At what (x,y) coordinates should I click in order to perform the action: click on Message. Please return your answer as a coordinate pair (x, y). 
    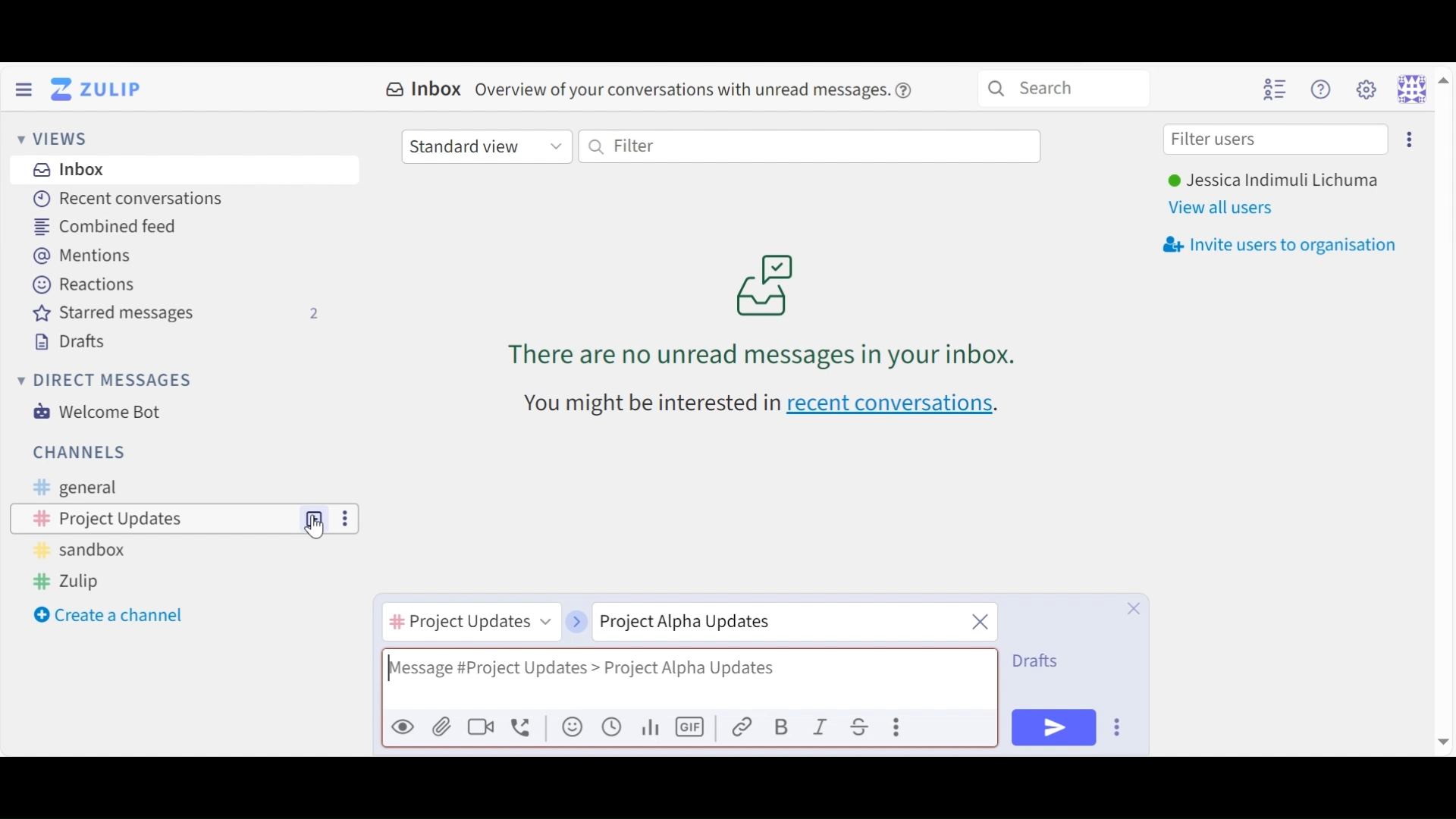
    Looking at the image, I should click on (689, 676).